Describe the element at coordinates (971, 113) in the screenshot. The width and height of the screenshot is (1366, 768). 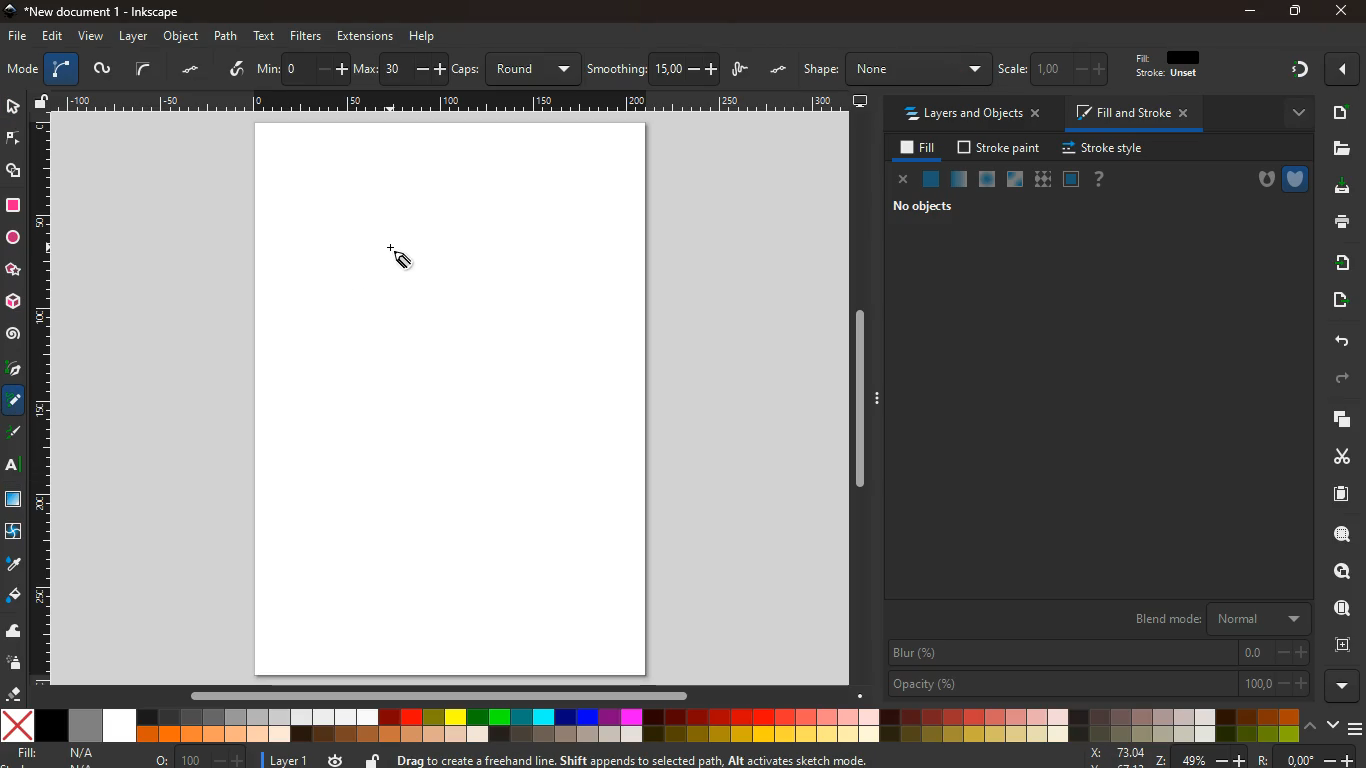
I see `layers and objects` at that location.